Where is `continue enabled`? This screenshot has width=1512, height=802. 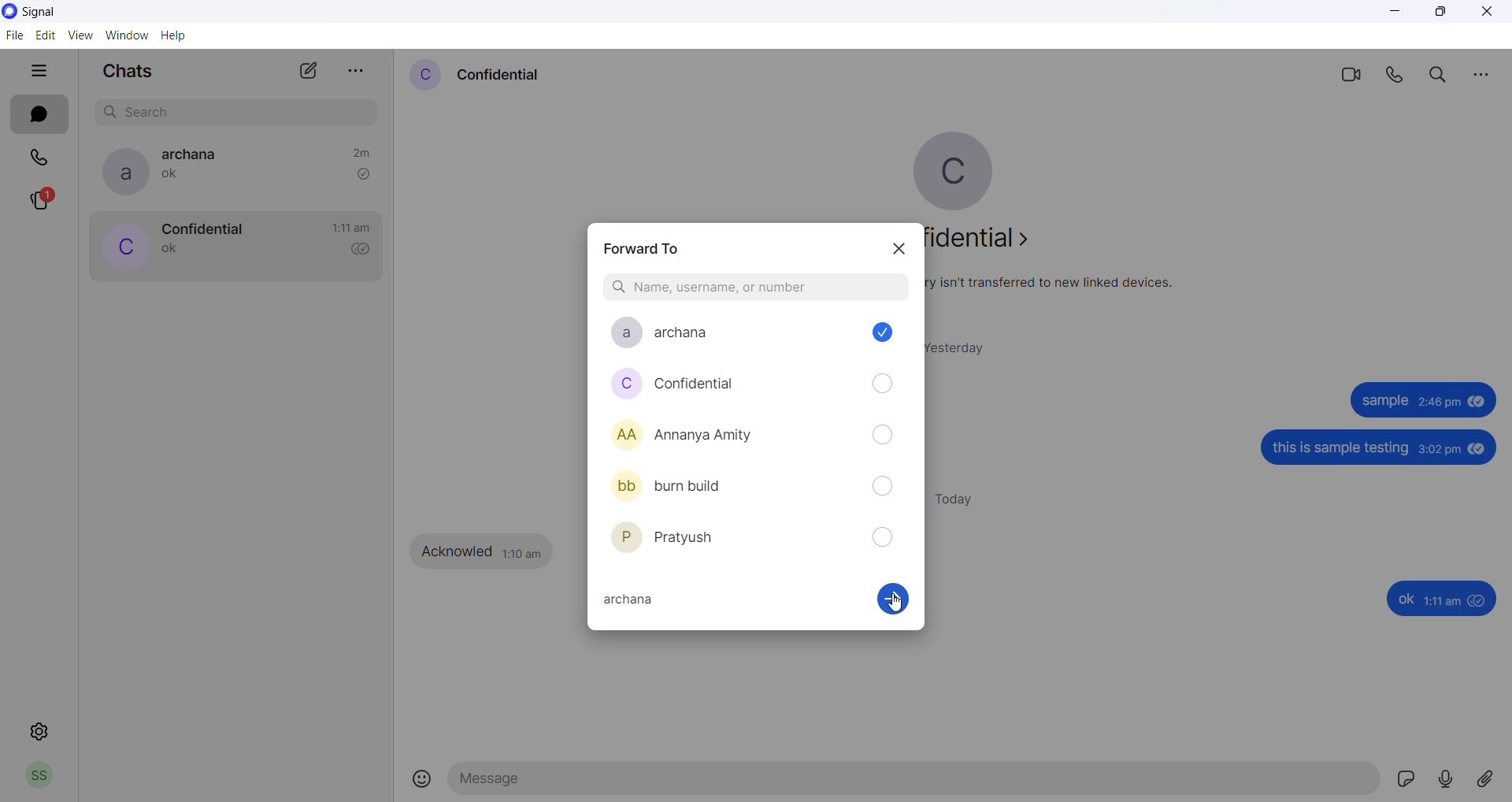
continue enabled is located at coordinates (894, 598).